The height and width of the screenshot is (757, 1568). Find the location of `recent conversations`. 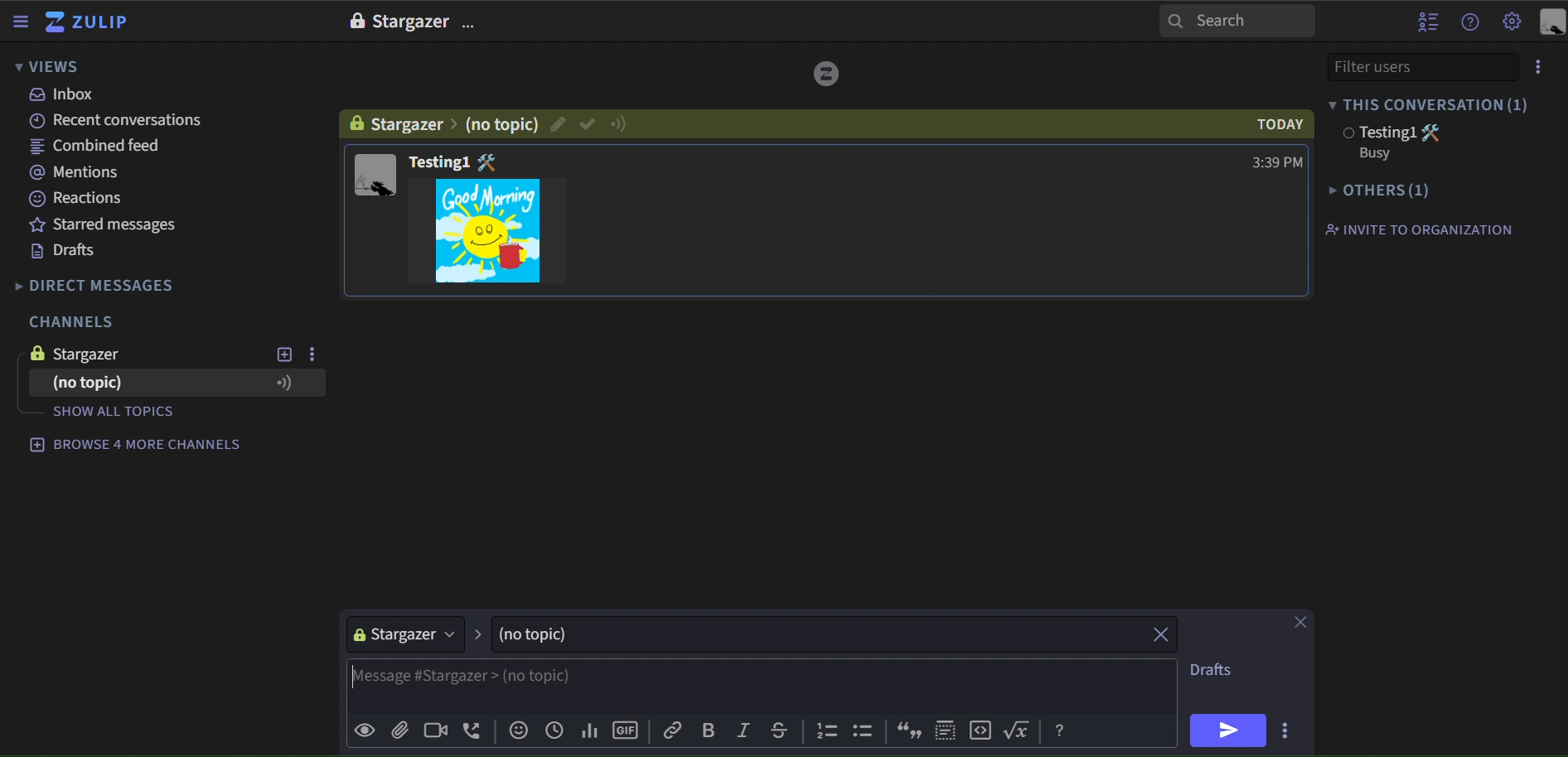

recent conversations is located at coordinates (123, 121).